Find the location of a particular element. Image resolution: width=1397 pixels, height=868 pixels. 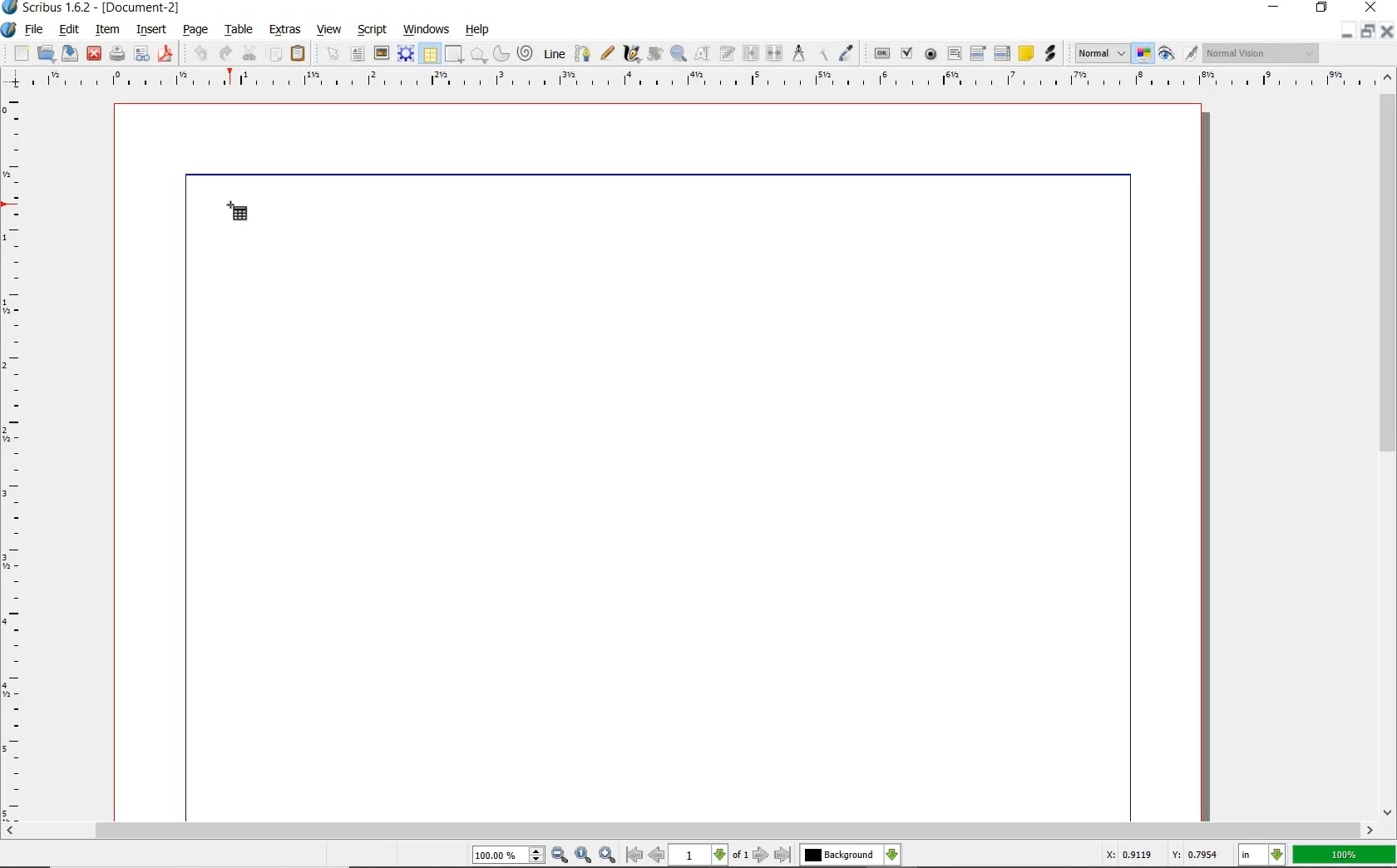

X: 0.9119 Y: 0.7954 is located at coordinates (1163, 855).